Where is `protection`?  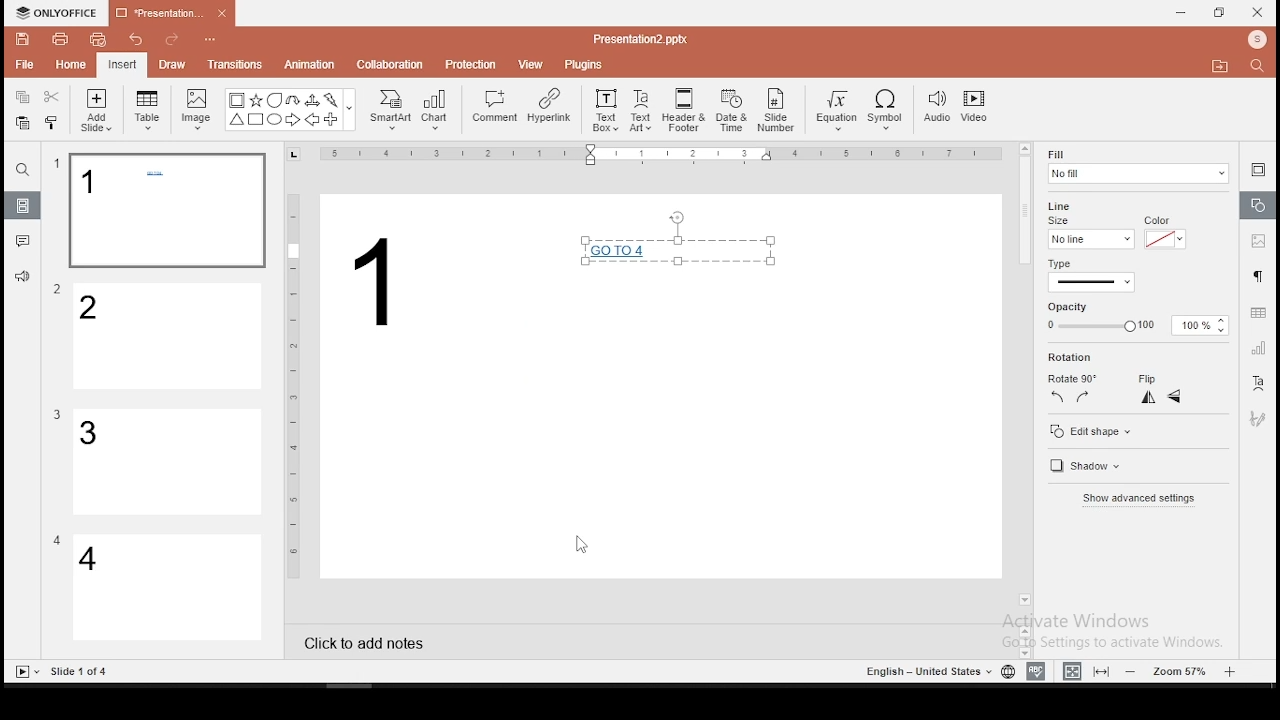 protection is located at coordinates (471, 63).